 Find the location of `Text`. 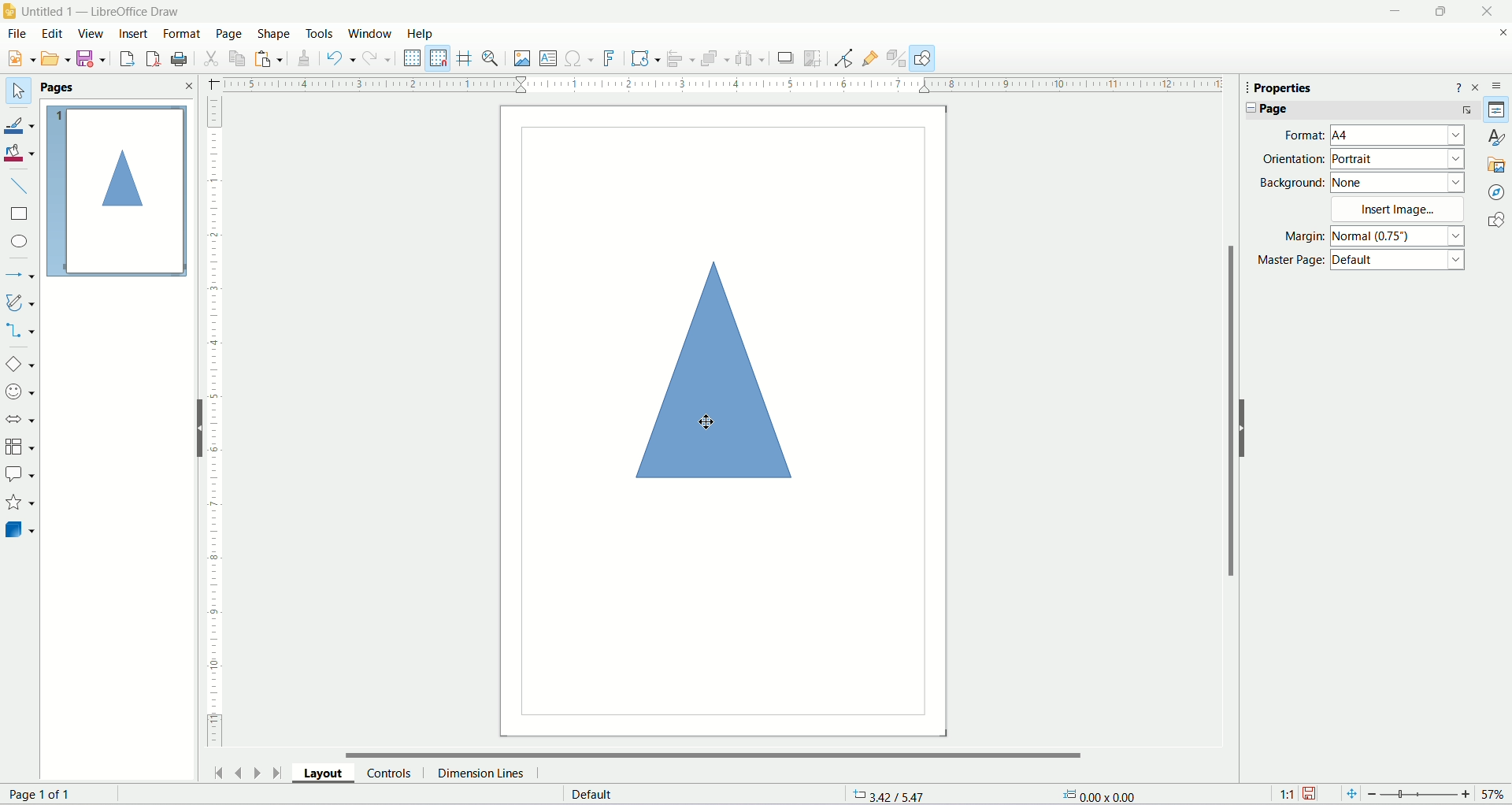

Text is located at coordinates (894, 796).